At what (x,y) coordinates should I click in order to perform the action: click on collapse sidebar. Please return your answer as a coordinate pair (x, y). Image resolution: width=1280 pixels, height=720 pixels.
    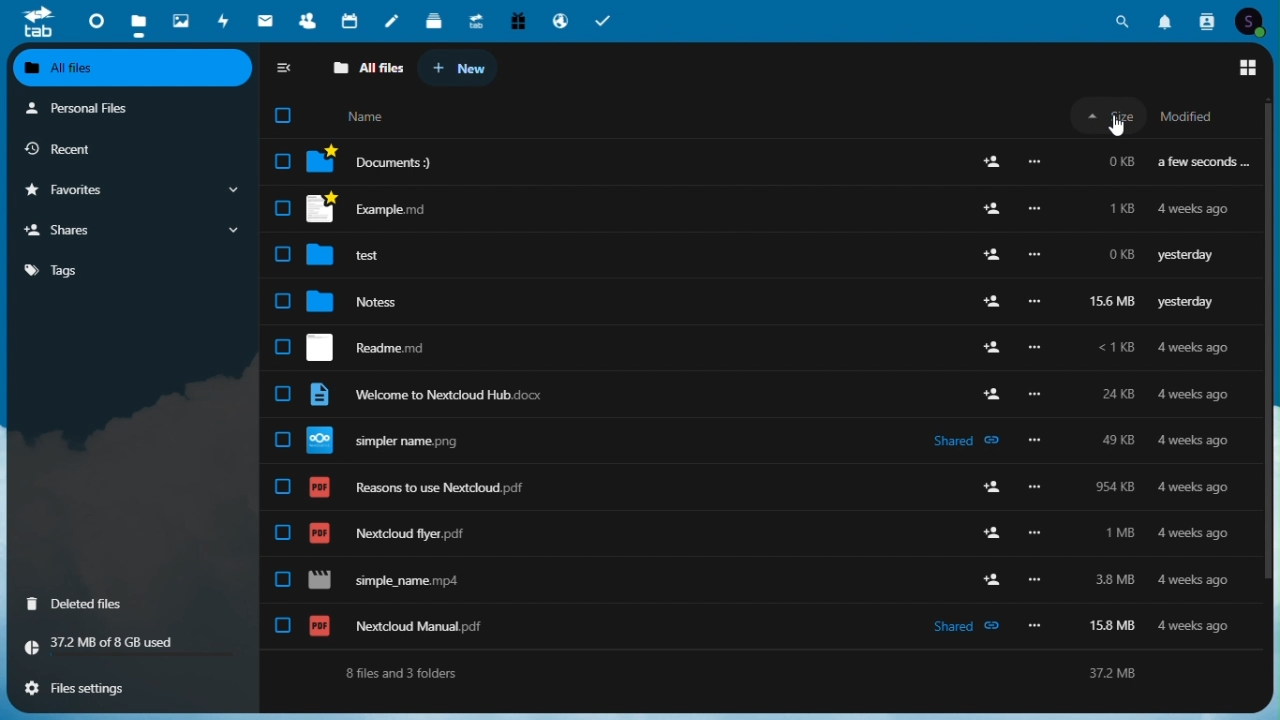
    Looking at the image, I should click on (286, 67).